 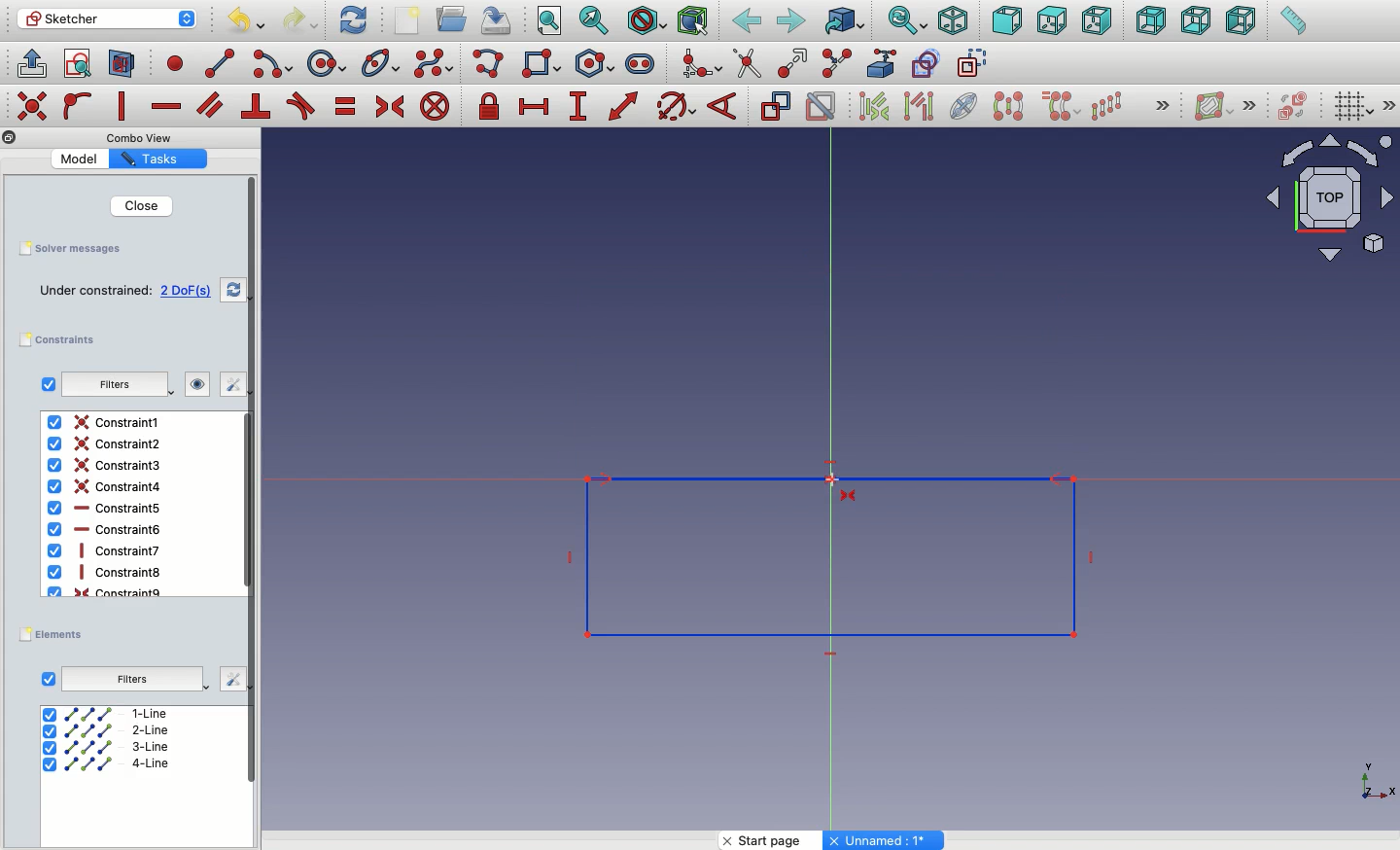 What do you see at coordinates (748, 21) in the screenshot?
I see `Back` at bounding box center [748, 21].